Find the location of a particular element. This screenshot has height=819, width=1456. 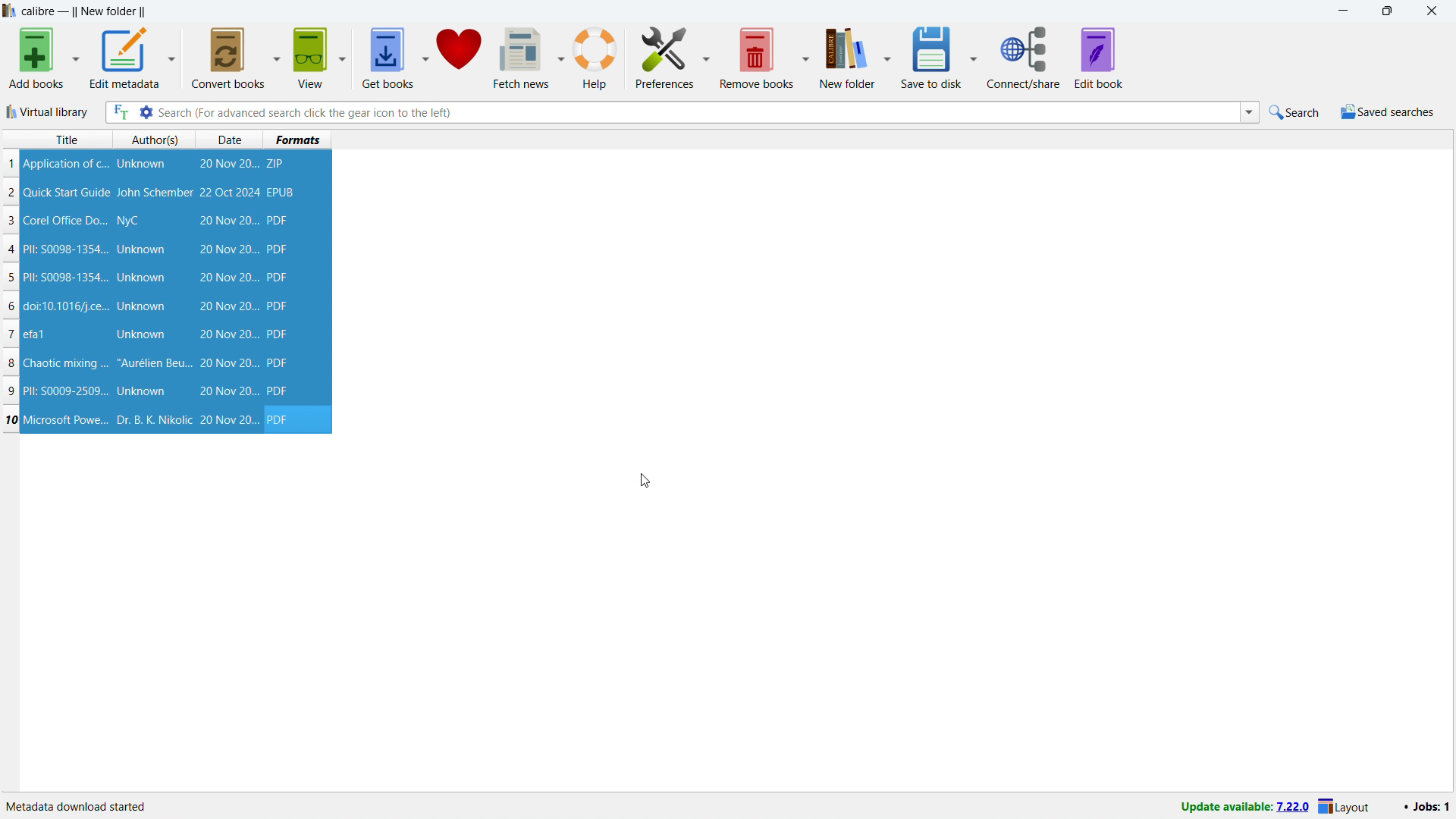

close is located at coordinates (1431, 11).